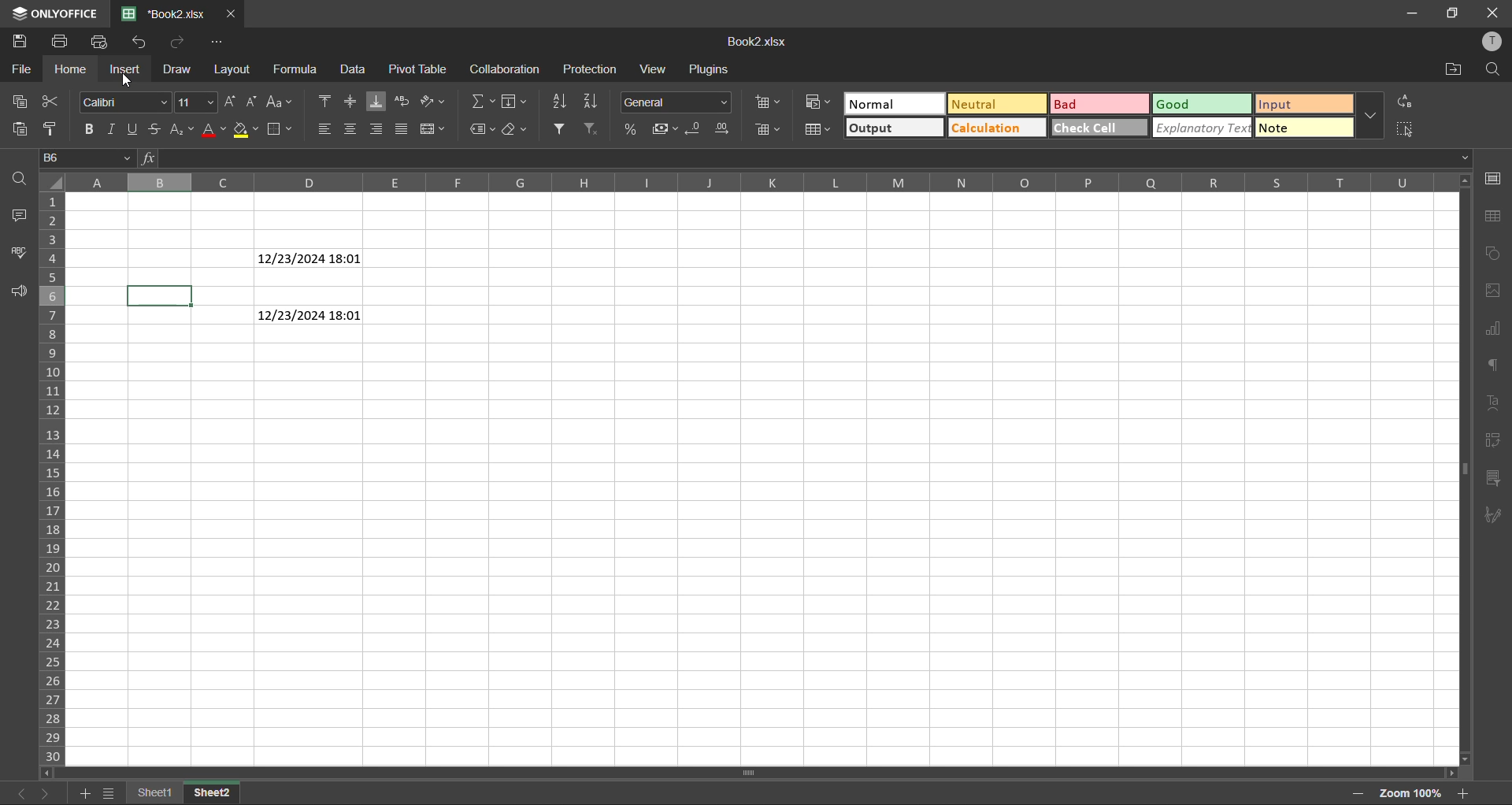 The height and width of the screenshot is (805, 1512). I want to click on collaboration, so click(506, 69).